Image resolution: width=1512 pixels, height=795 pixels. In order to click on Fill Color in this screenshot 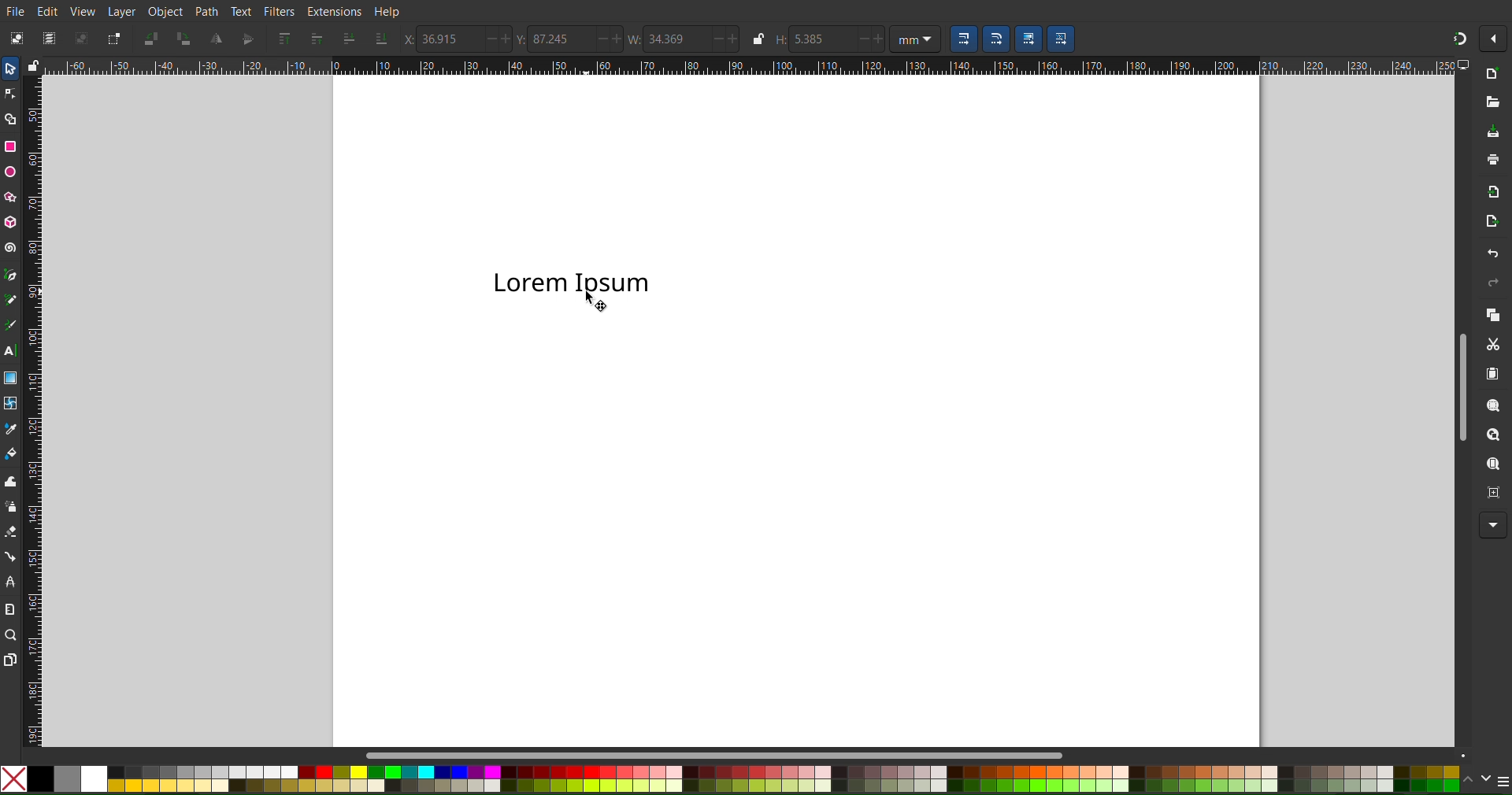, I will do `click(11, 453)`.